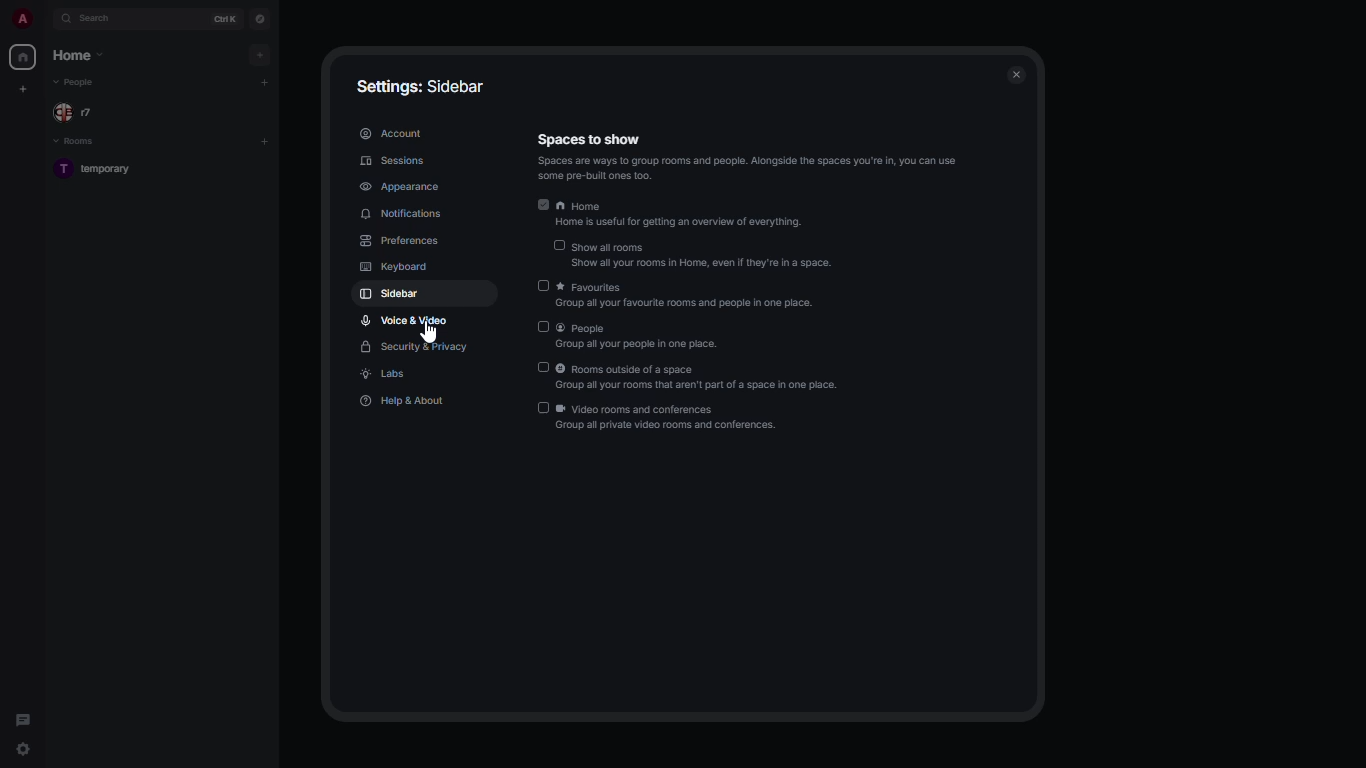 The width and height of the screenshot is (1366, 768). Describe the element at coordinates (431, 336) in the screenshot. I see `cursor` at that location.